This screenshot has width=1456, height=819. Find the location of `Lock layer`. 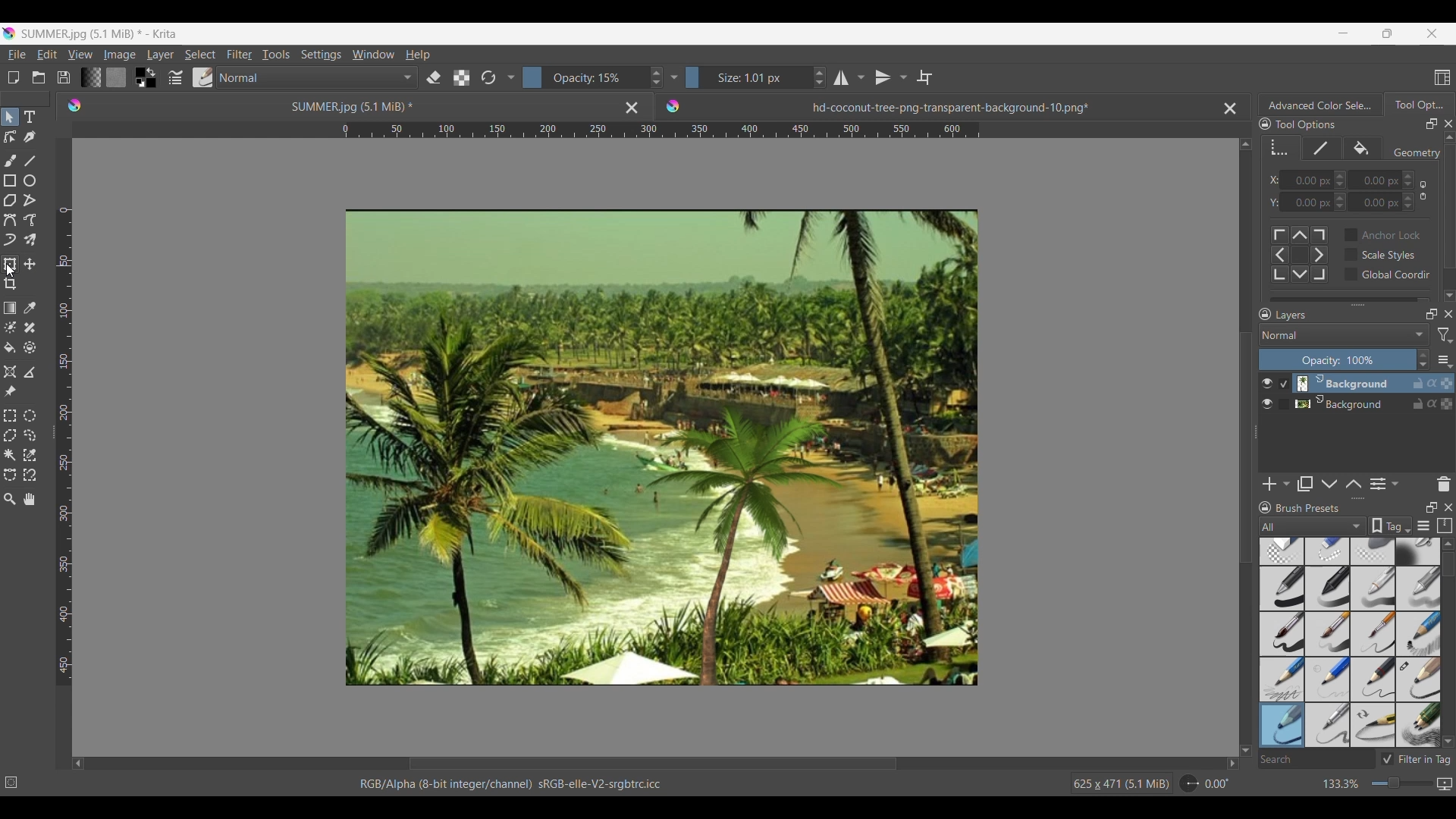

Lock layer is located at coordinates (1418, 403).